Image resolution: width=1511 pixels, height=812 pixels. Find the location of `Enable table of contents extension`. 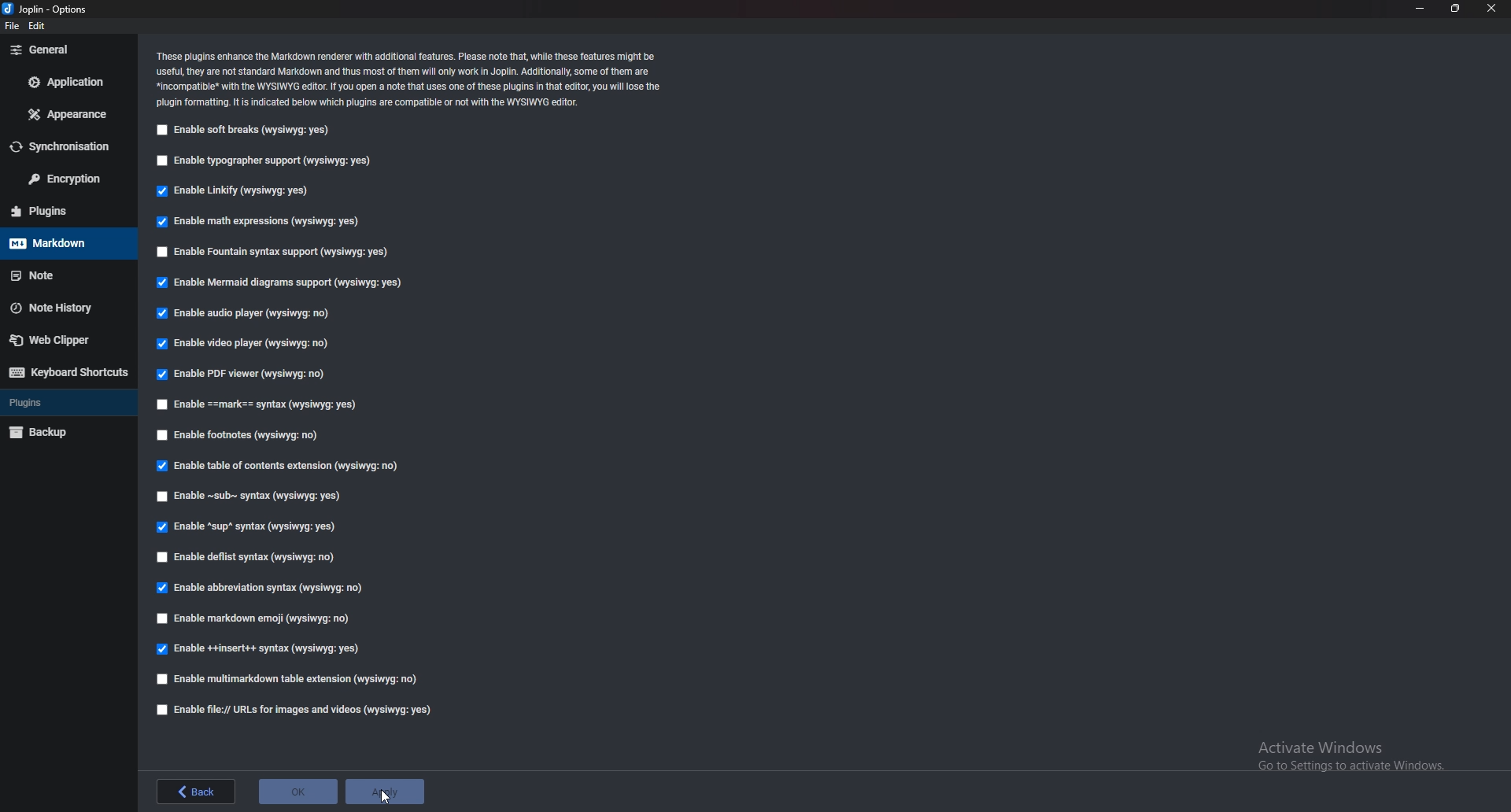

Enable table of contents extension is located at coordinates (286, 466).